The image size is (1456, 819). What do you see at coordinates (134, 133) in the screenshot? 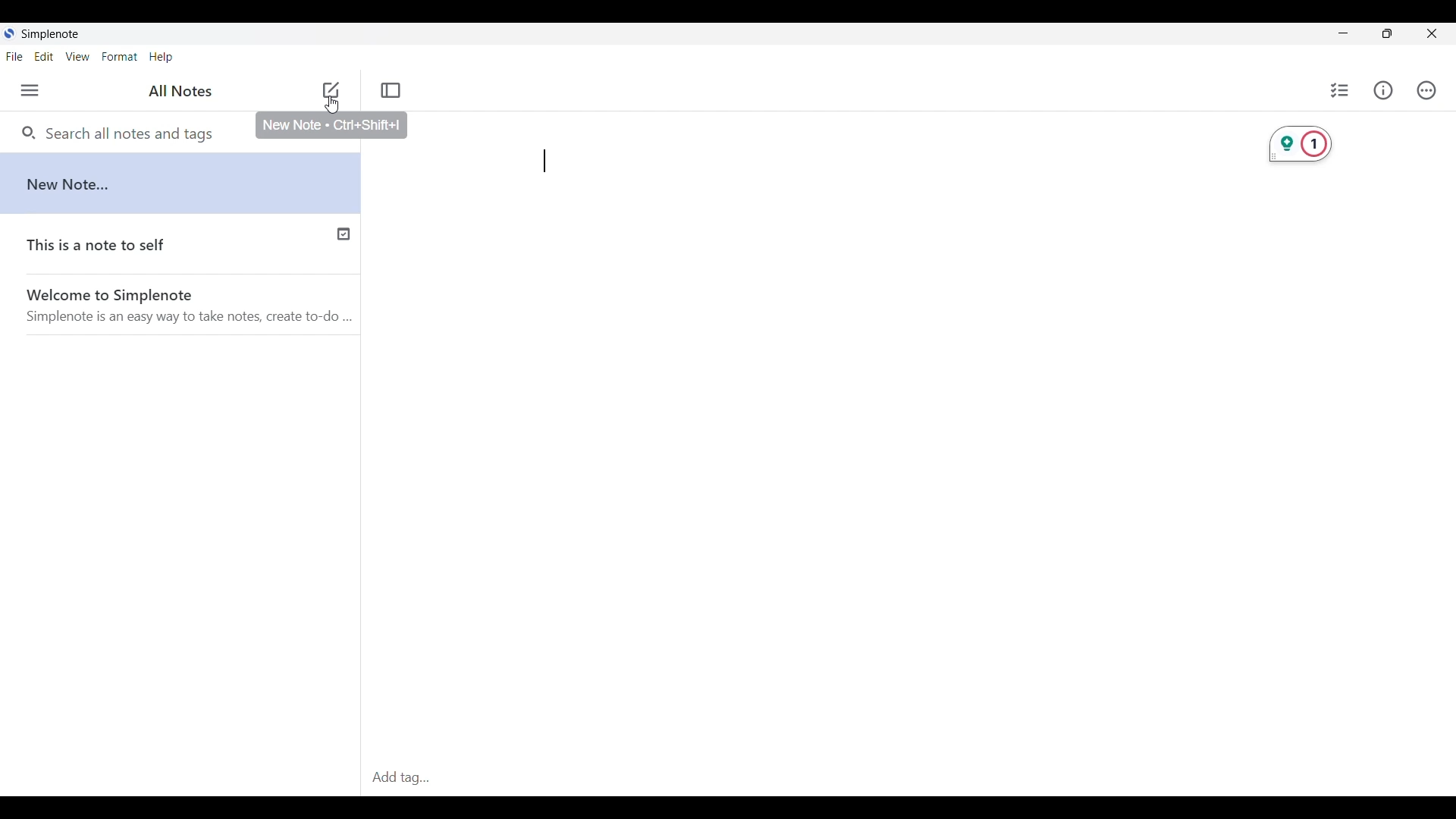
I see `Search all notes and tags` at bounding box center [134, 133].